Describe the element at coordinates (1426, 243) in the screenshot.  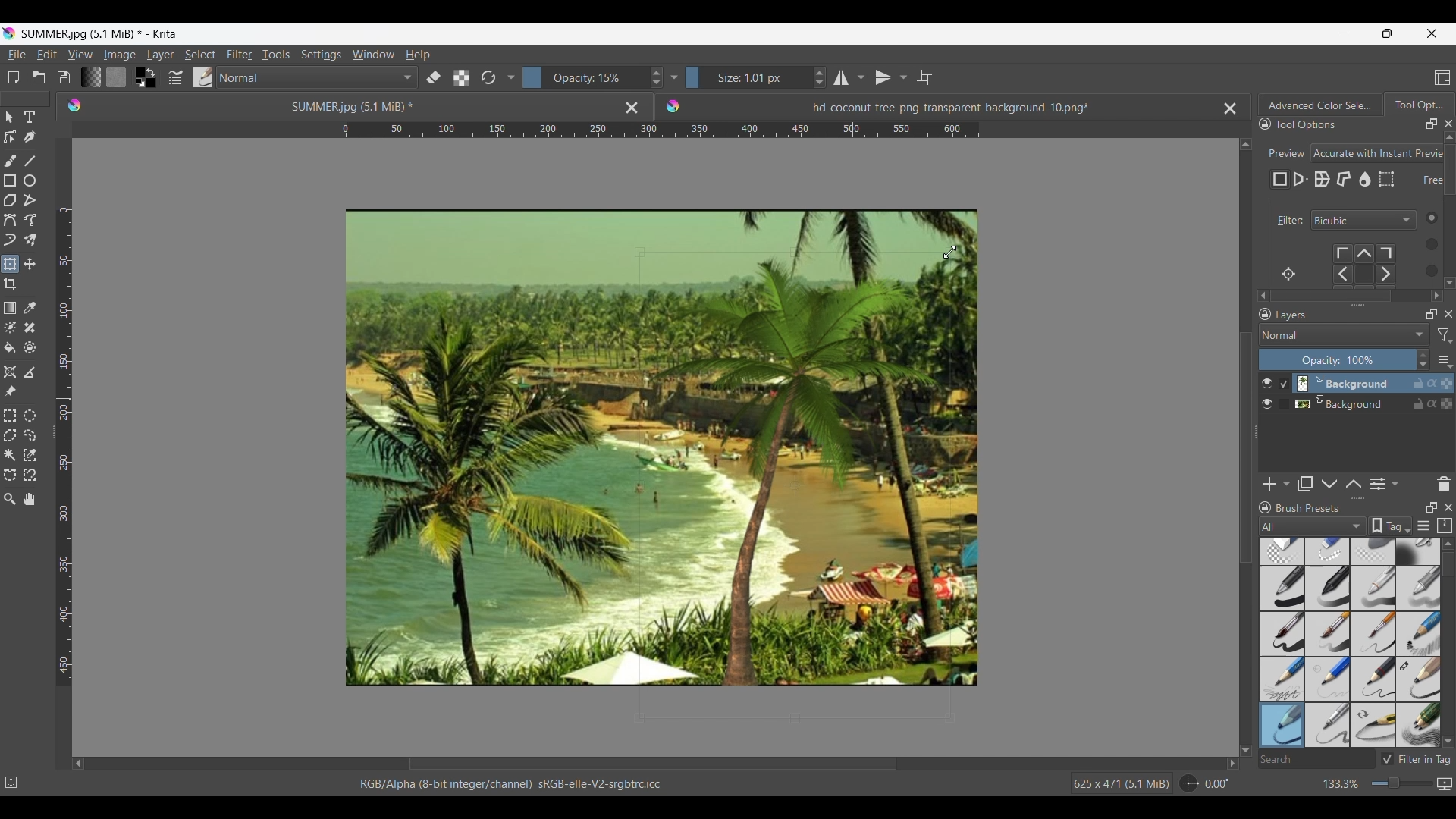
I see `Select` at that location.